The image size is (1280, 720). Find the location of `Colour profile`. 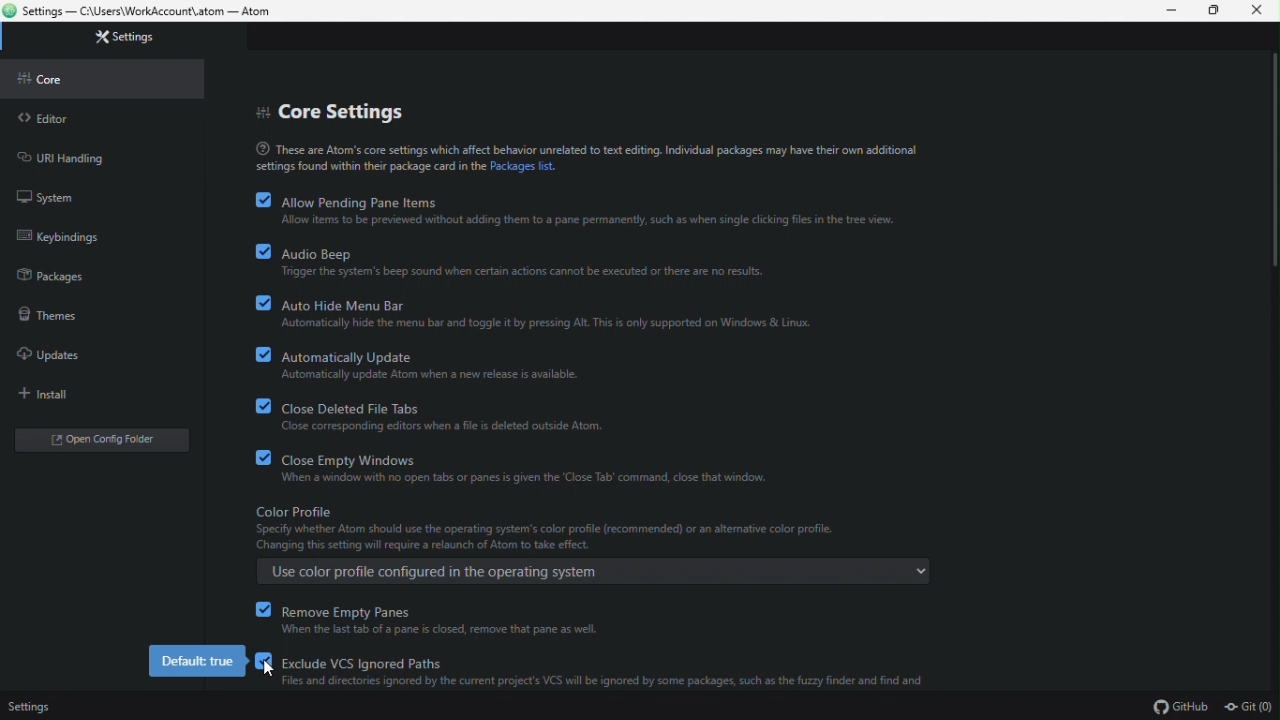

Colour profile is located at coordinates (586, 547).